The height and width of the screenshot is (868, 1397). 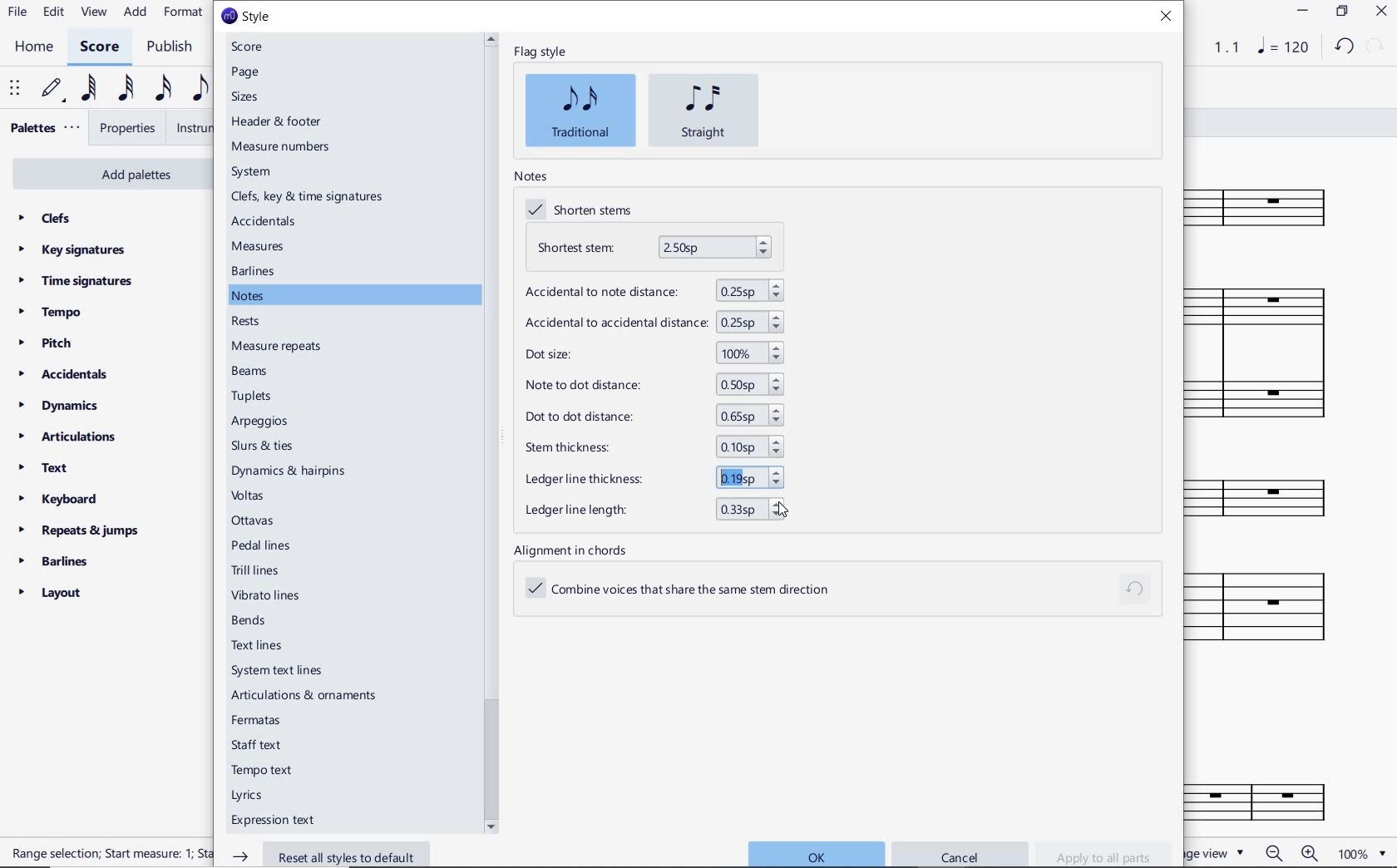 What do you see at coordinates (52, 560) in the screenshot?
I see `barlines` at bounding box center [52, 560].